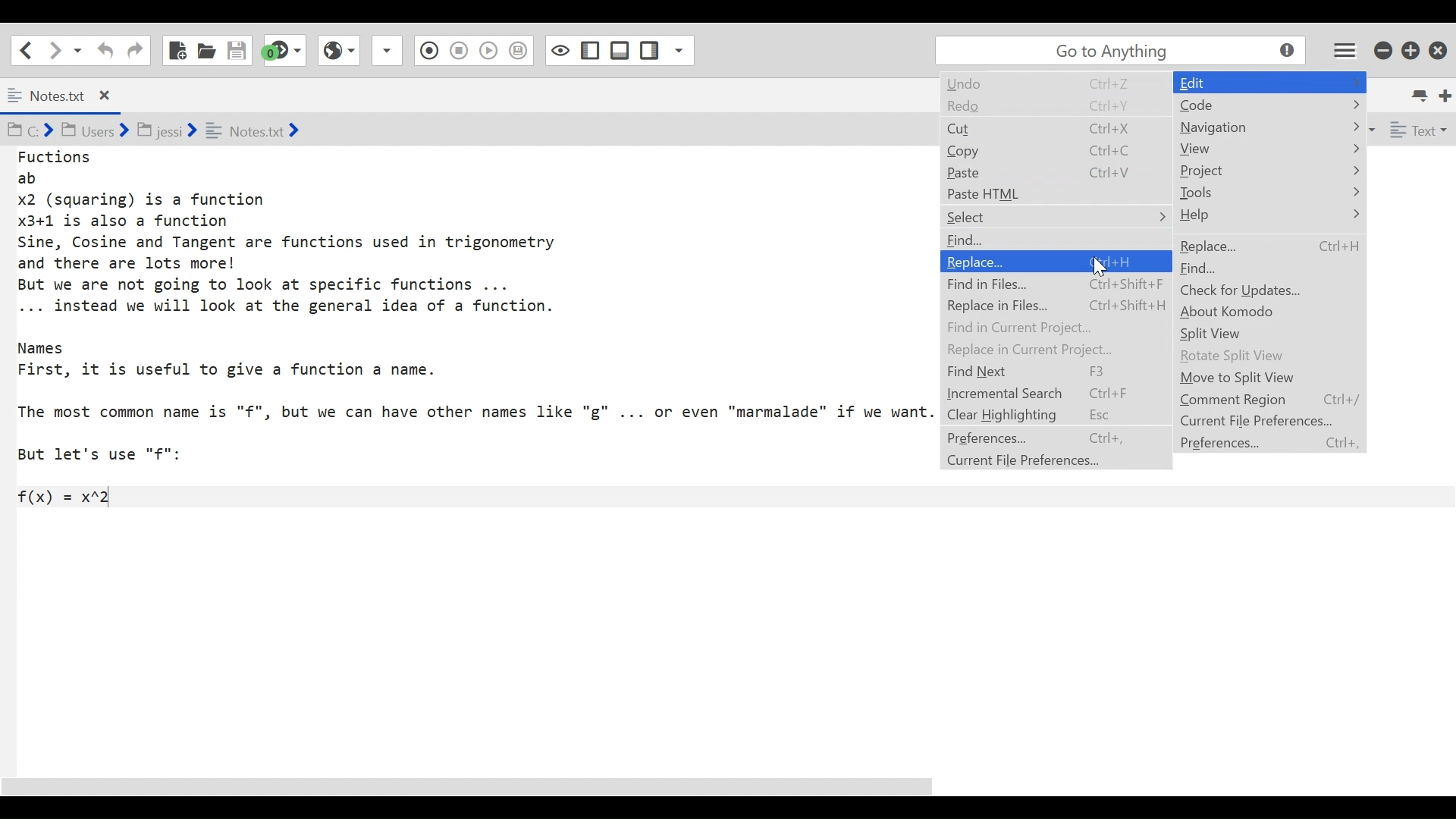 This screenshot has height=819, width=1456. Describe the element at coordinates (1241, 216) in the screenshot. I see `Help` at that location.